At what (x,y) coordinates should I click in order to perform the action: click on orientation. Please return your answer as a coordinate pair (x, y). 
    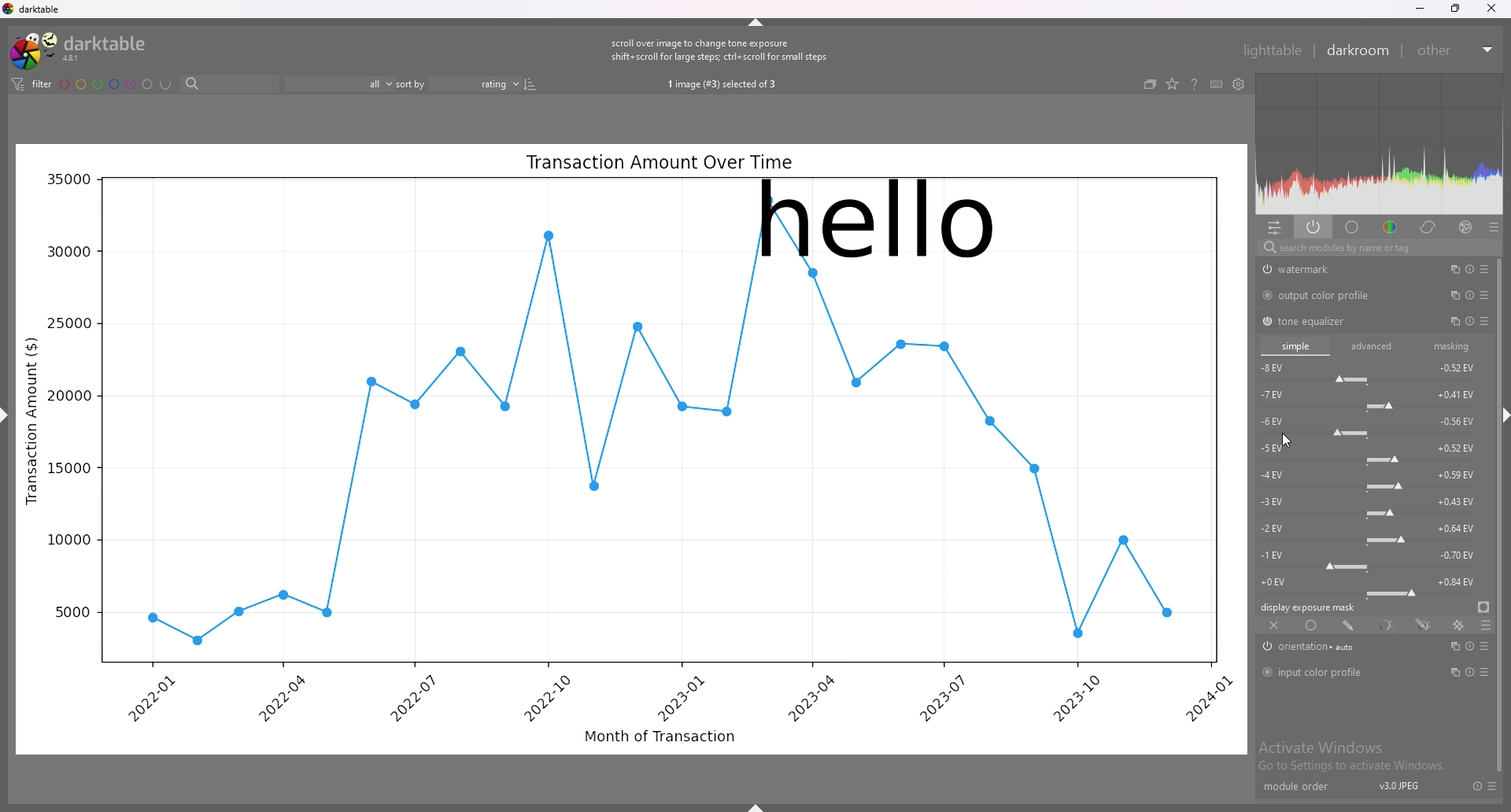
    Looking at the image, I should click on (1320, 648).